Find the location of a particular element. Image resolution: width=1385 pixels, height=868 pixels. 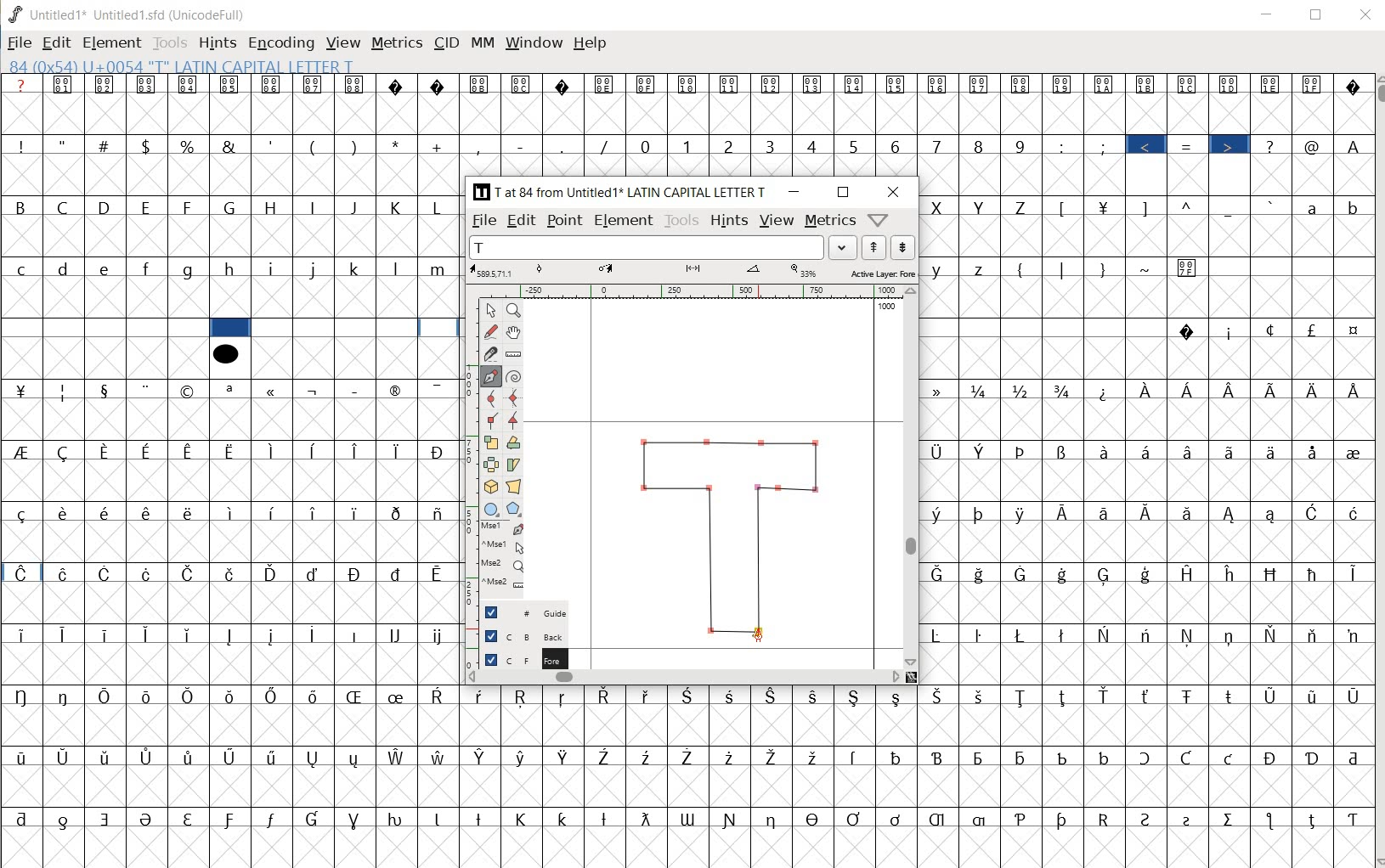

Symbol is located at coordinates (982, 513).